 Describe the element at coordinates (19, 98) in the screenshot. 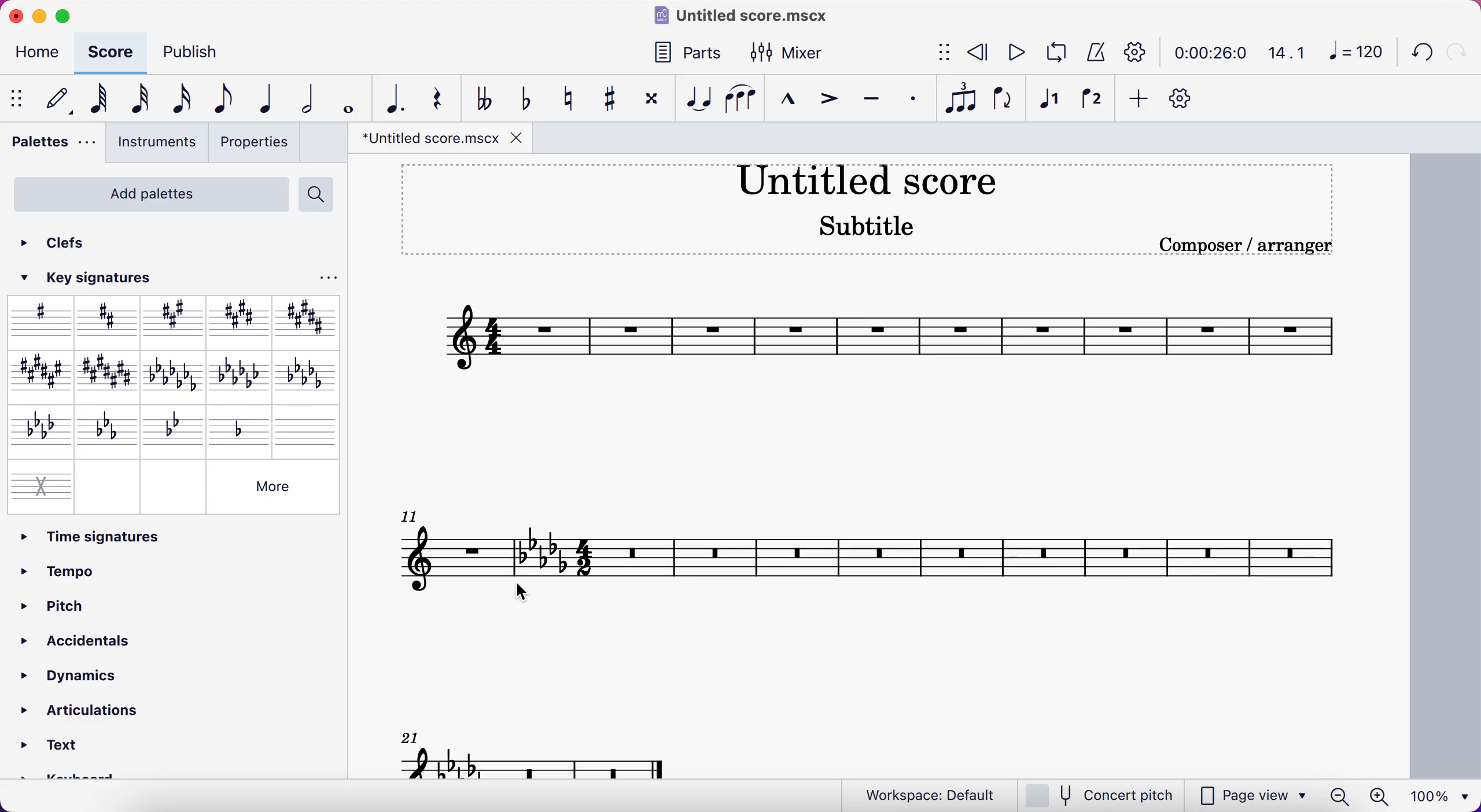

I see `show/hide` at that location.